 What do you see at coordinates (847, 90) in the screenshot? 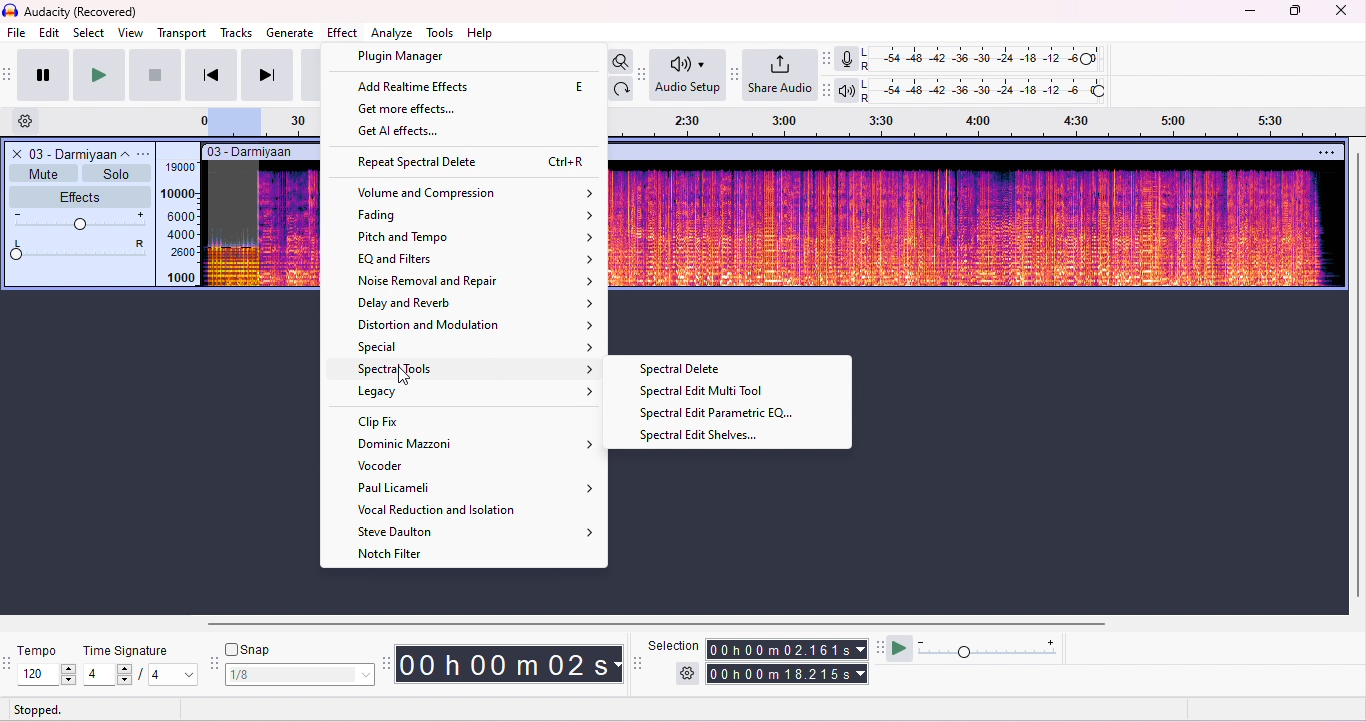
I see `playback meter` at bounding box center [847, 90].